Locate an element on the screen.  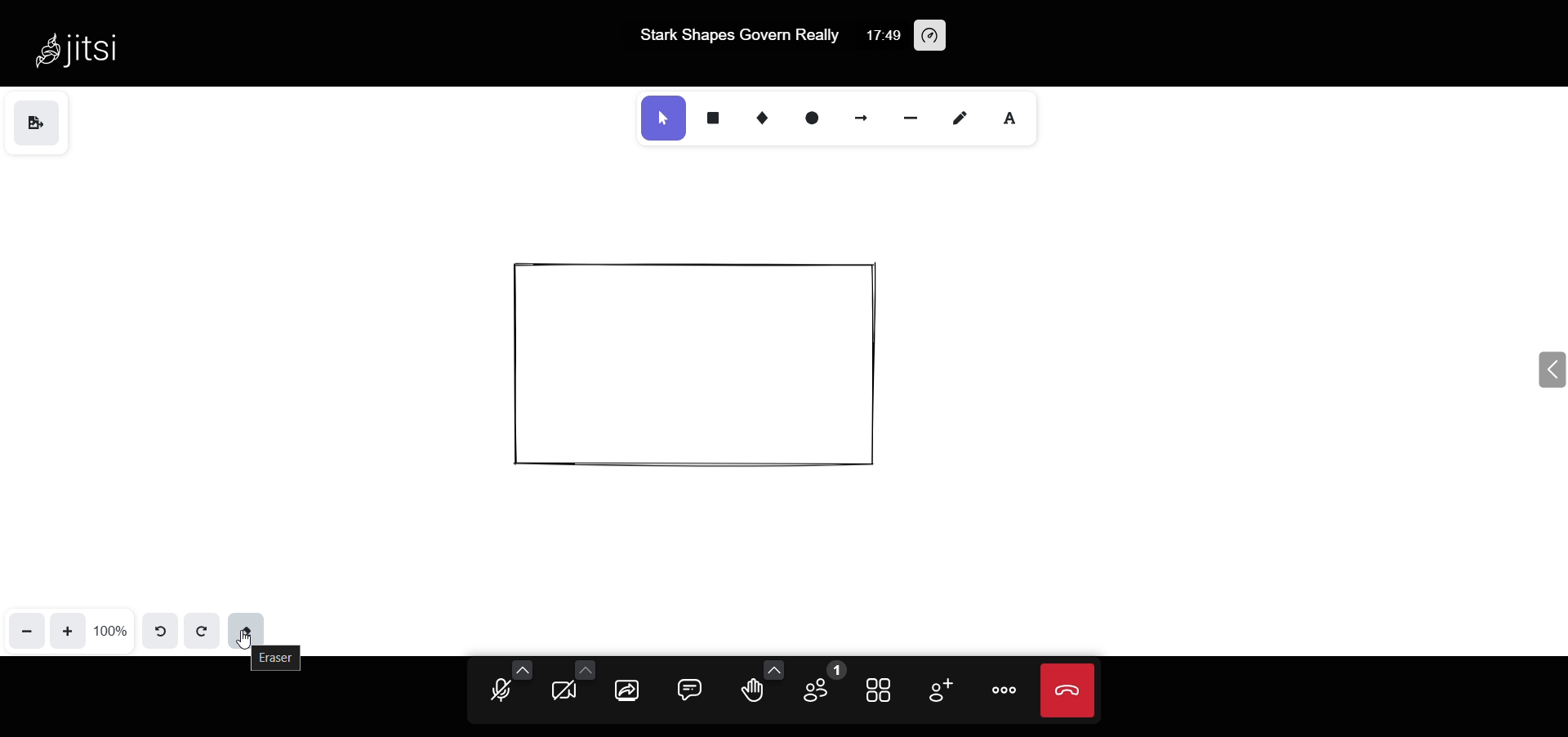
more camera setting is located at coordinates (585, 667).